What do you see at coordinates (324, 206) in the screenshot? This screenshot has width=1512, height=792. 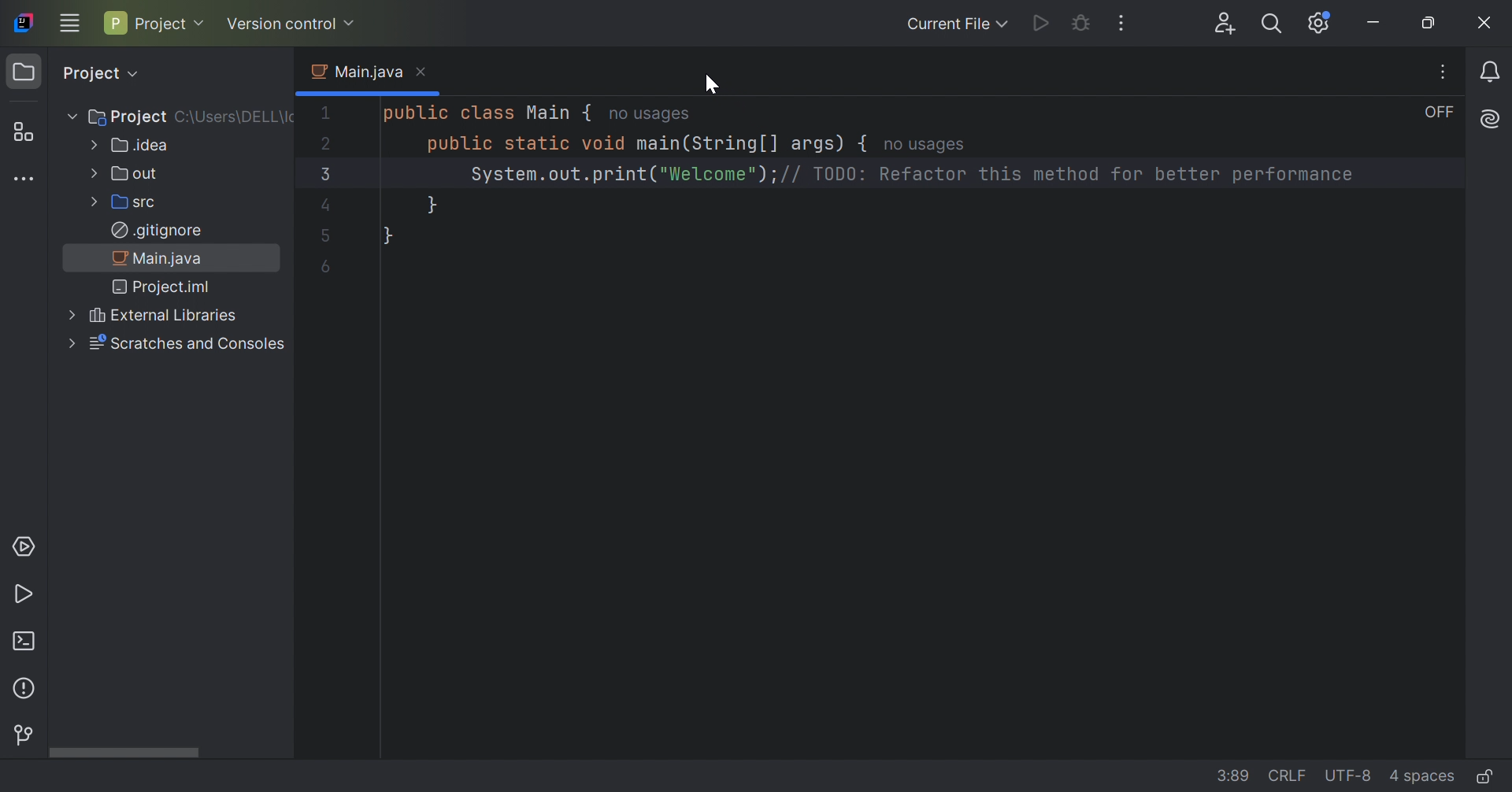 I see `4` at bounding box center [324, 206].